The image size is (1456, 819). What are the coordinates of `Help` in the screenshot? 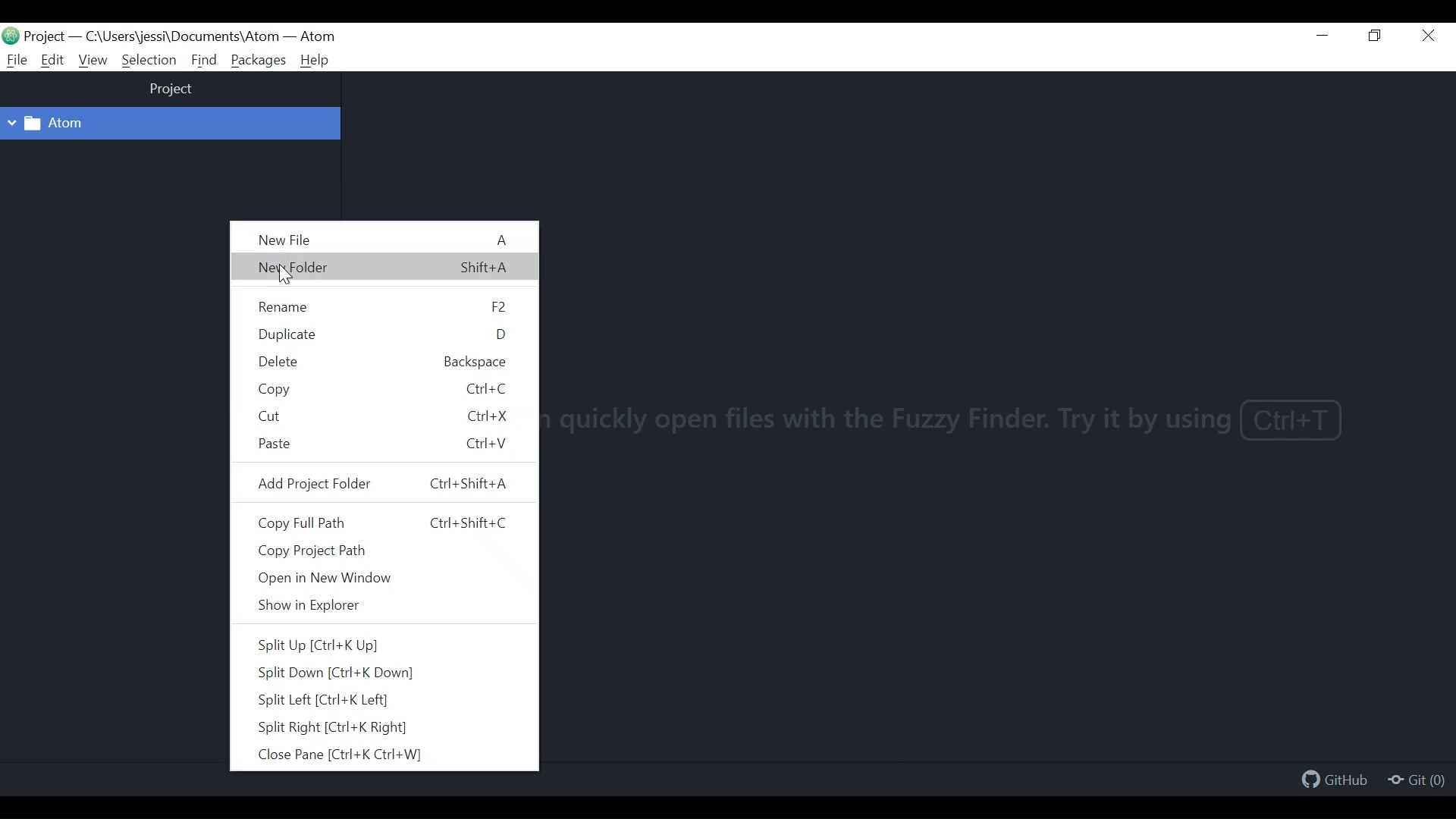 It's located at (315, 61).